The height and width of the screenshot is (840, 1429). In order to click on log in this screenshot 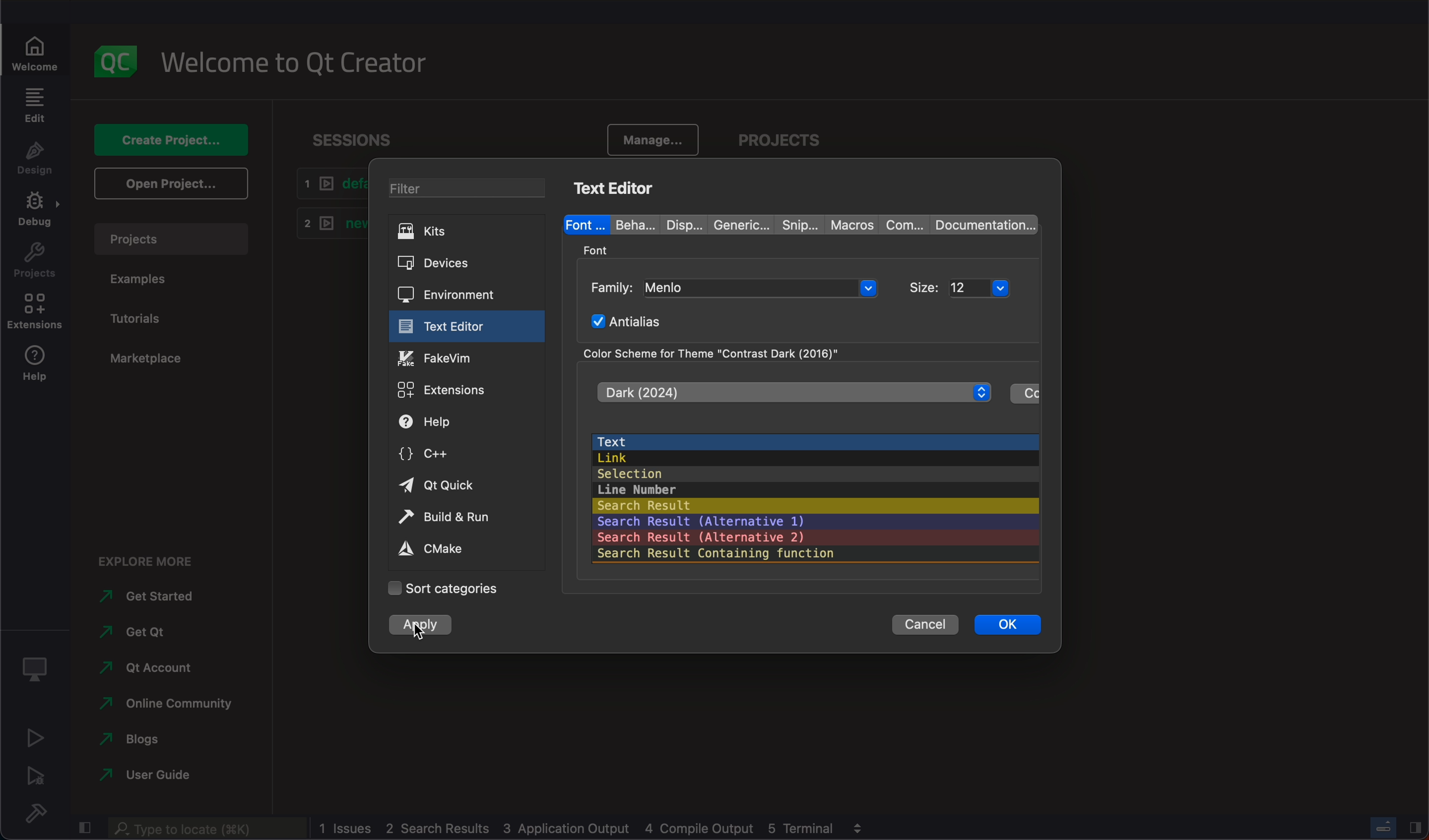, I will do `click(581, 827)`.